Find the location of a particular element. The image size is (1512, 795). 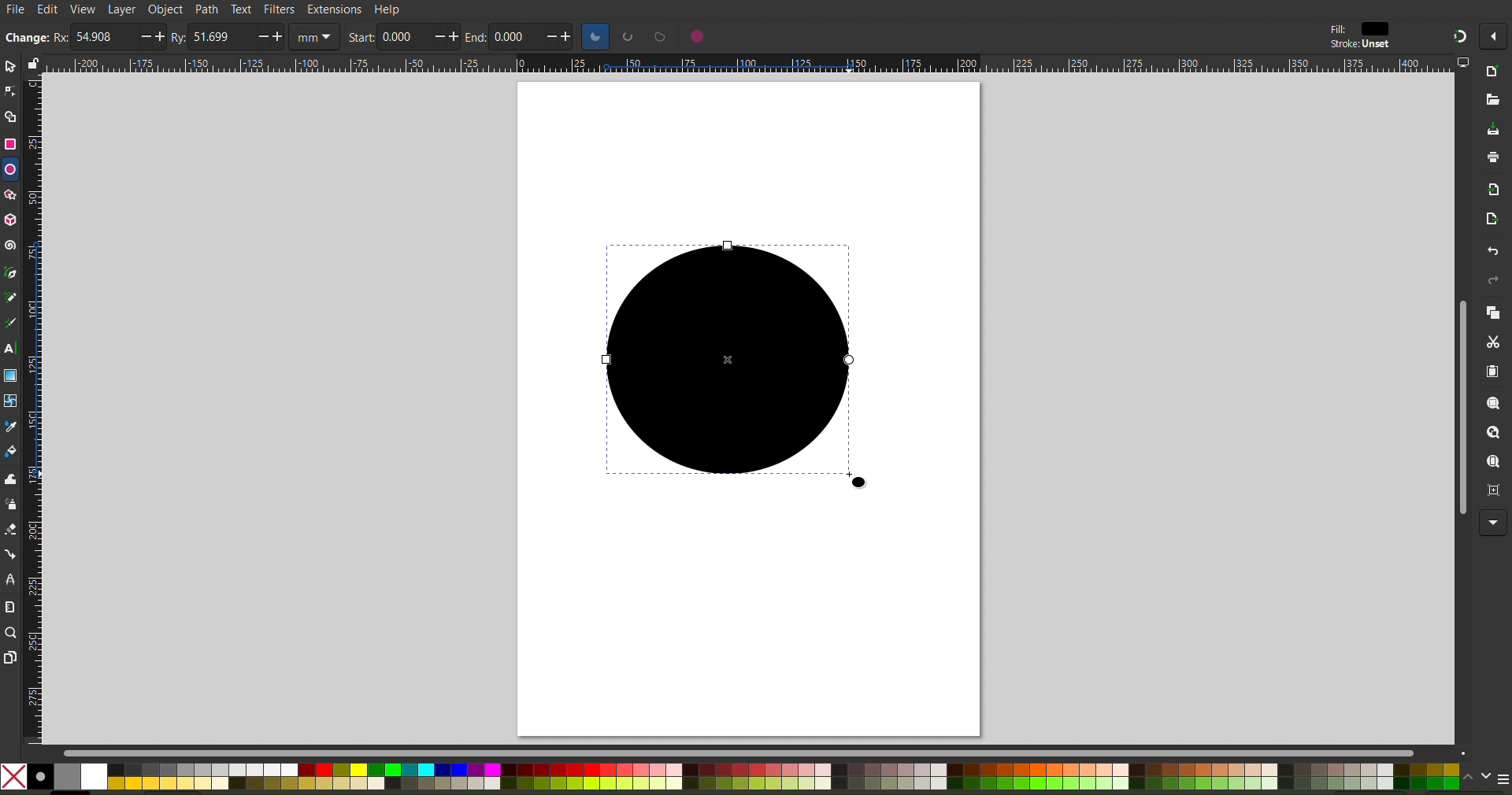

increase/decrease is located at coordinates (448, 37).